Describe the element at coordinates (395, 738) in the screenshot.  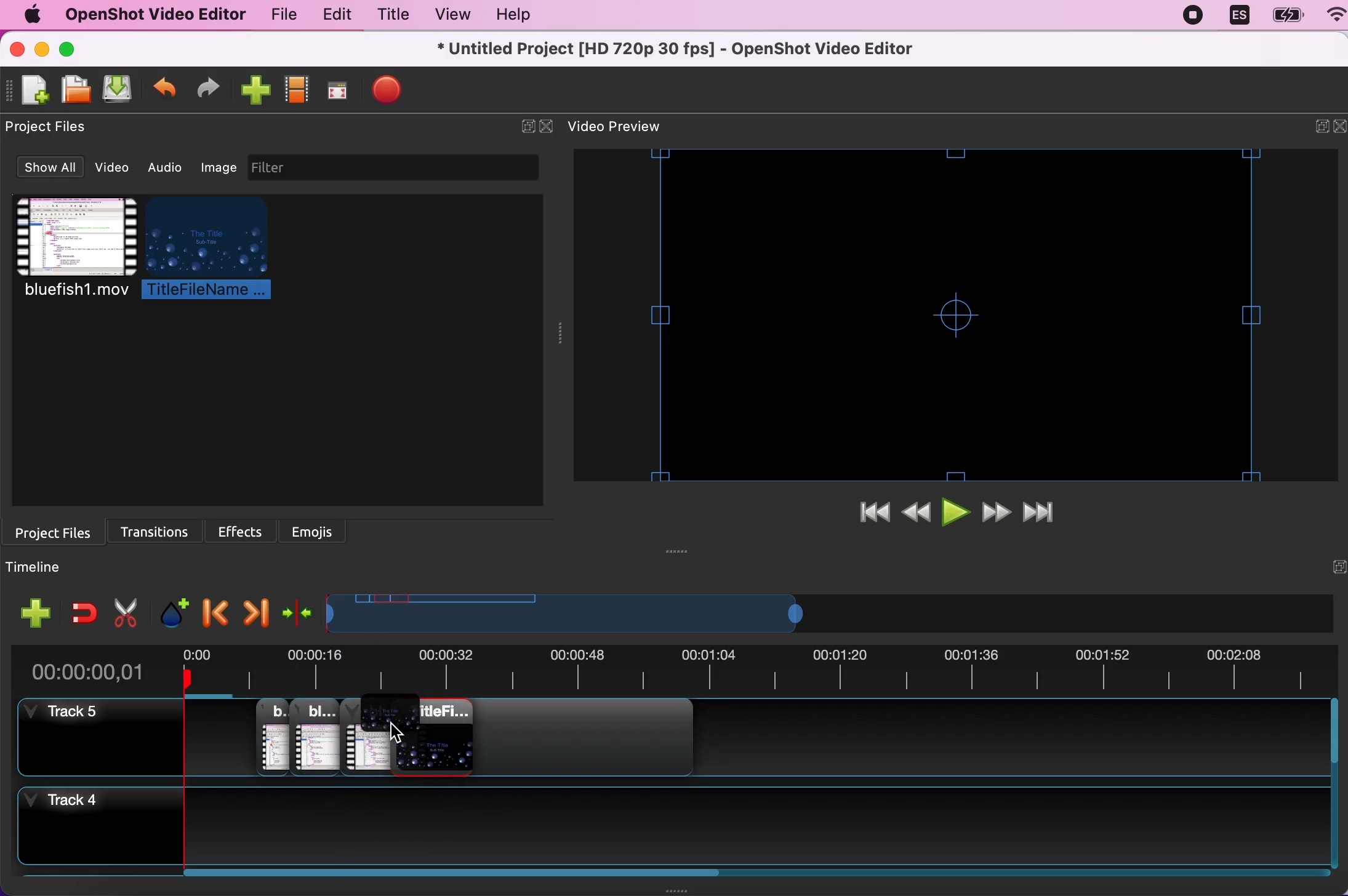
I see `cursor on track 5` at that location.